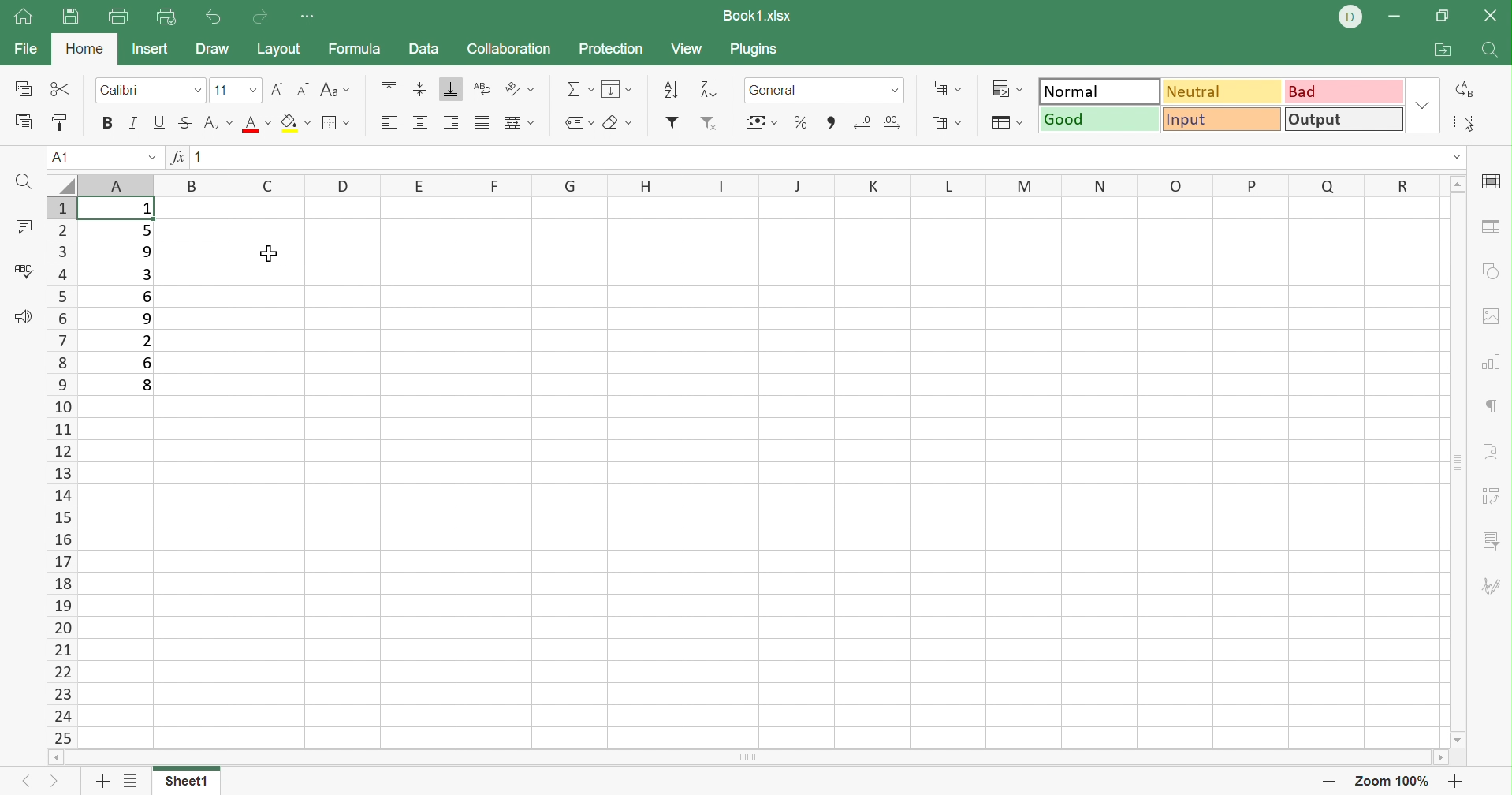 The width and height of the screenshot is (1512, 795). What do you see at coordinates (1442, 757) in the screenshot?
I see `Scroll Right` at bounding box center [1442, 757].